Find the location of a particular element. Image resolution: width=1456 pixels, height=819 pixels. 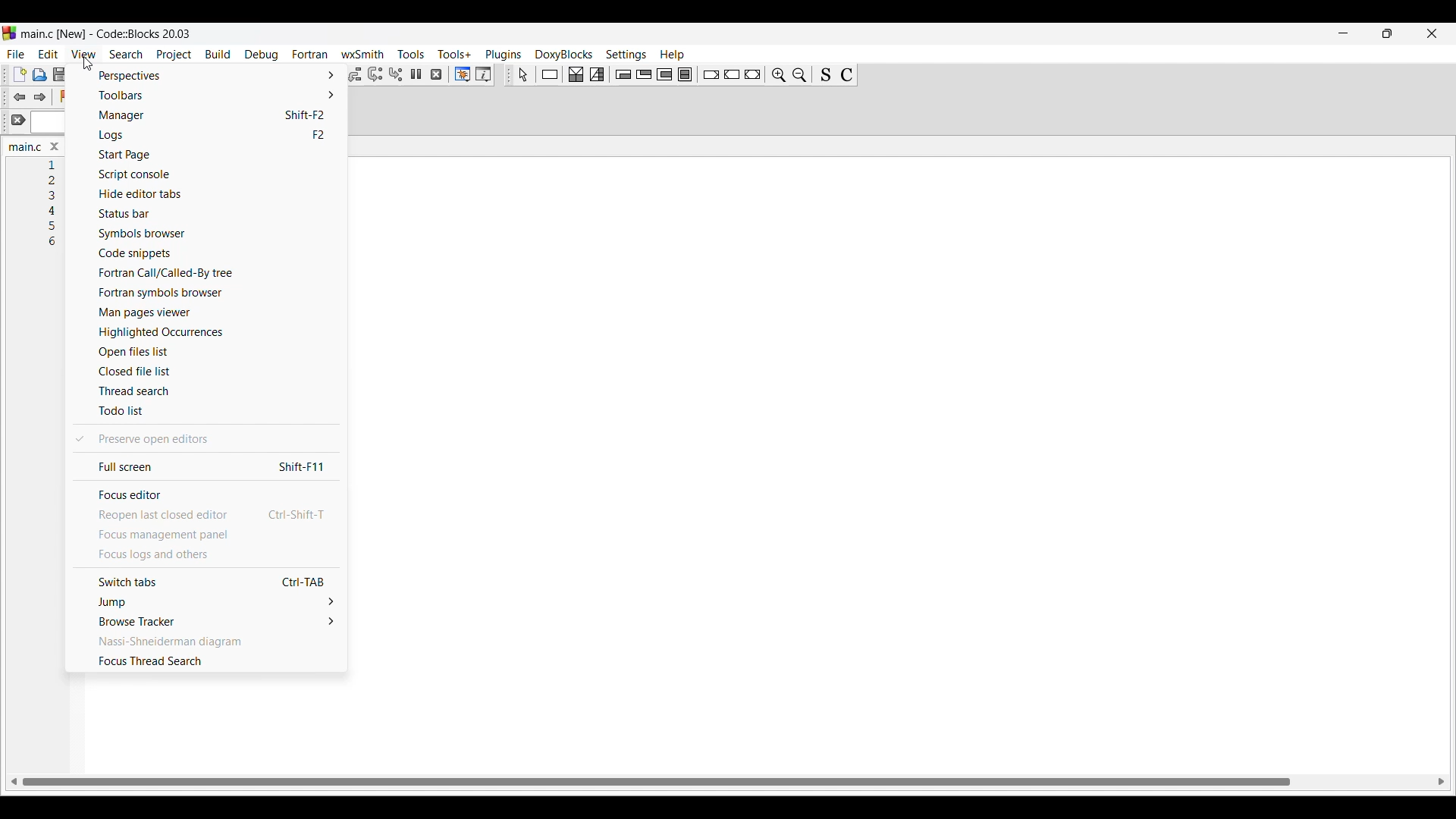

Clear is located at coordinates (18, 120).